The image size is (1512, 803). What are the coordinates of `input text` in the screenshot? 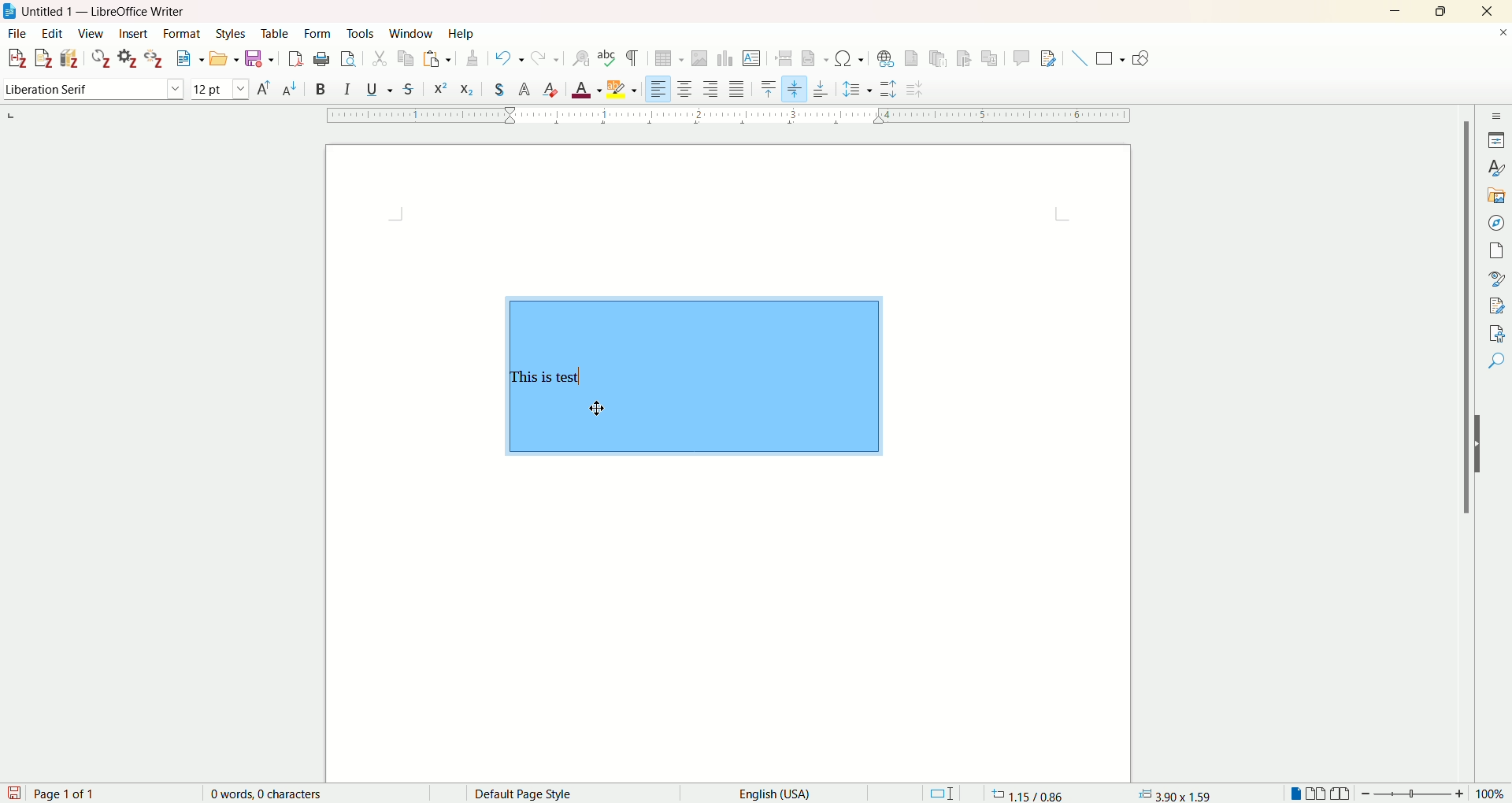 It's located at (552, 379).